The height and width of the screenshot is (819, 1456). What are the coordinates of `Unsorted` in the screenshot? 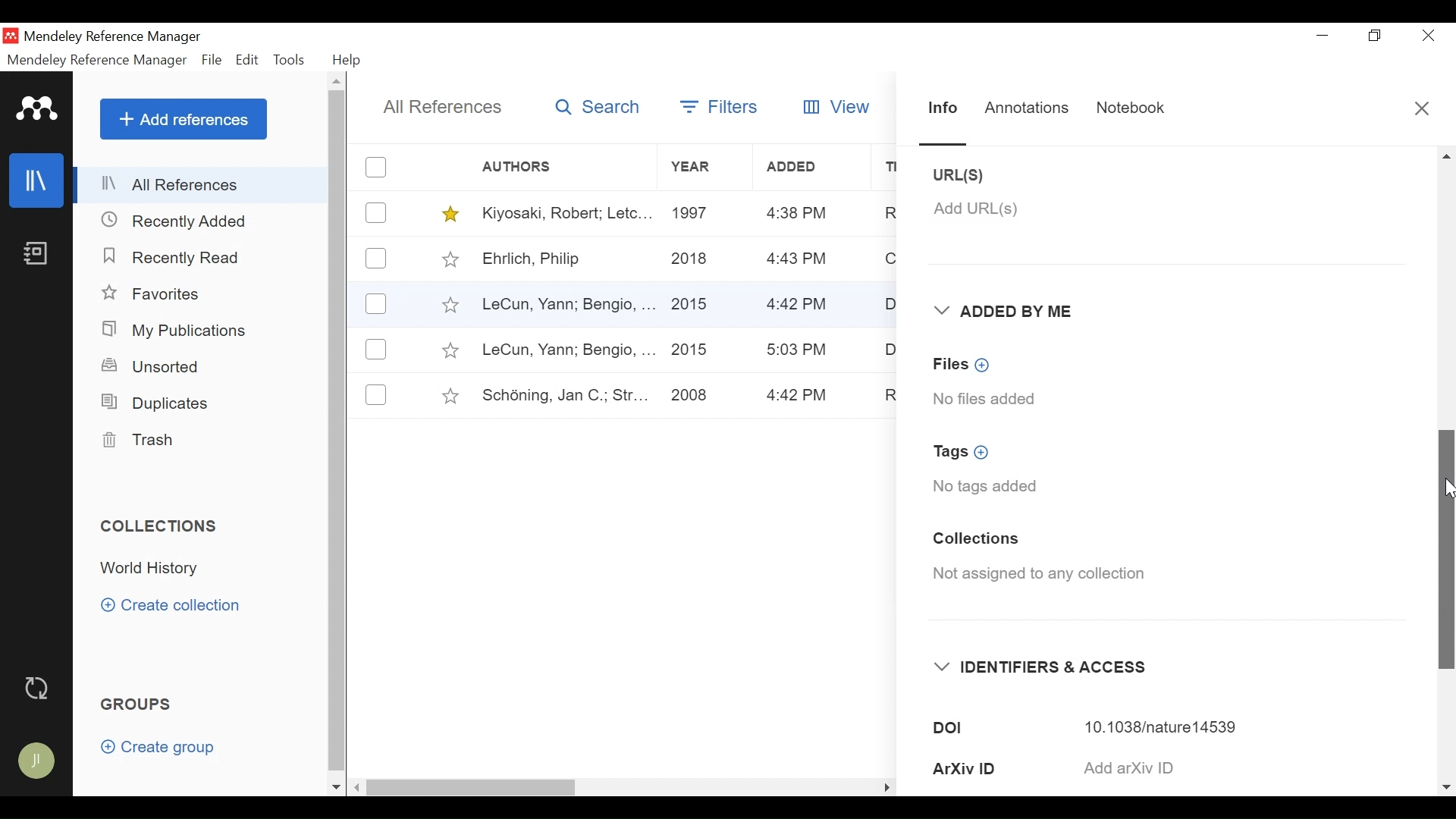 It's located at (152, 366).